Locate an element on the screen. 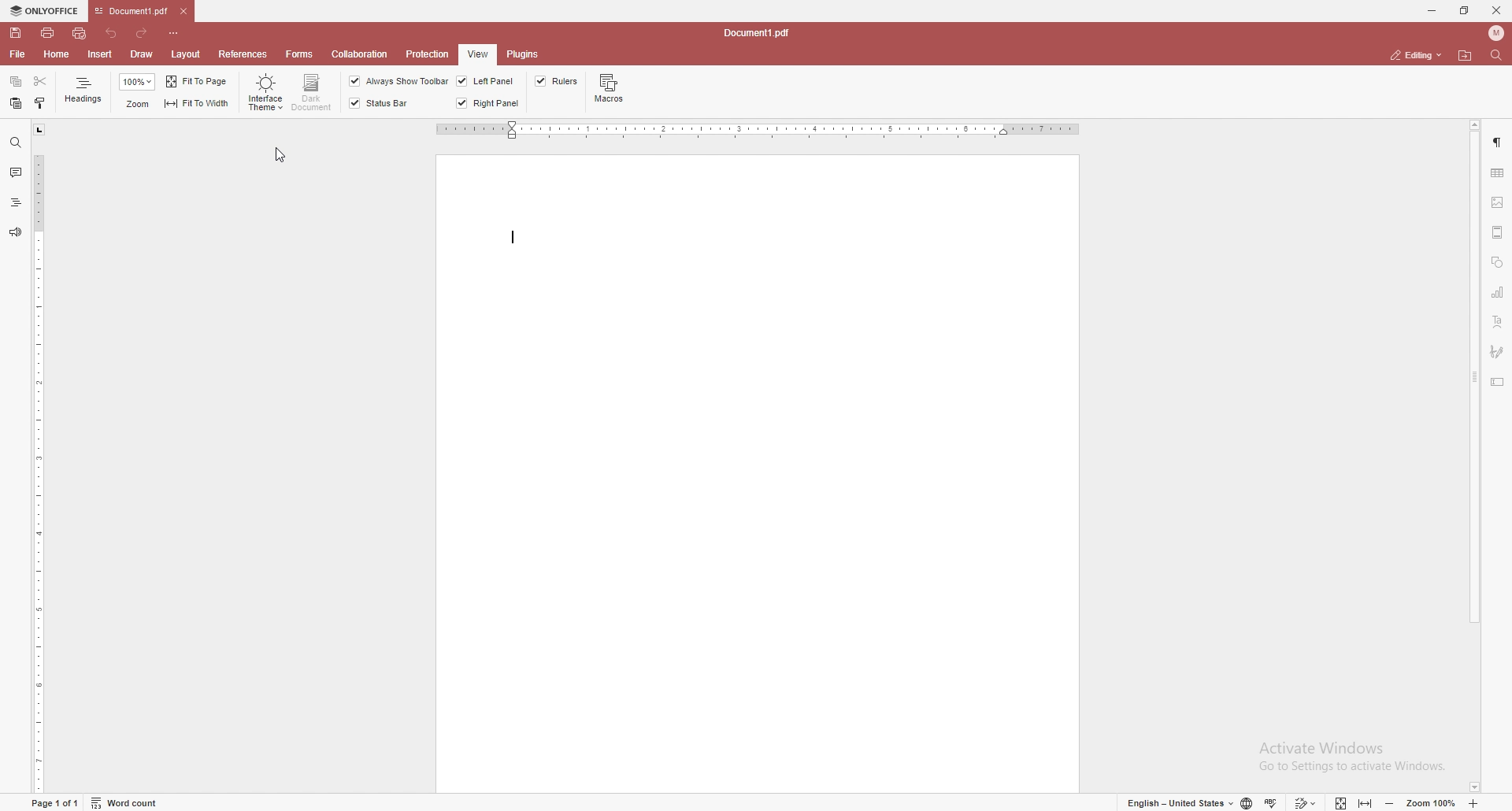  fit to width is located at coordinates (197, 104).